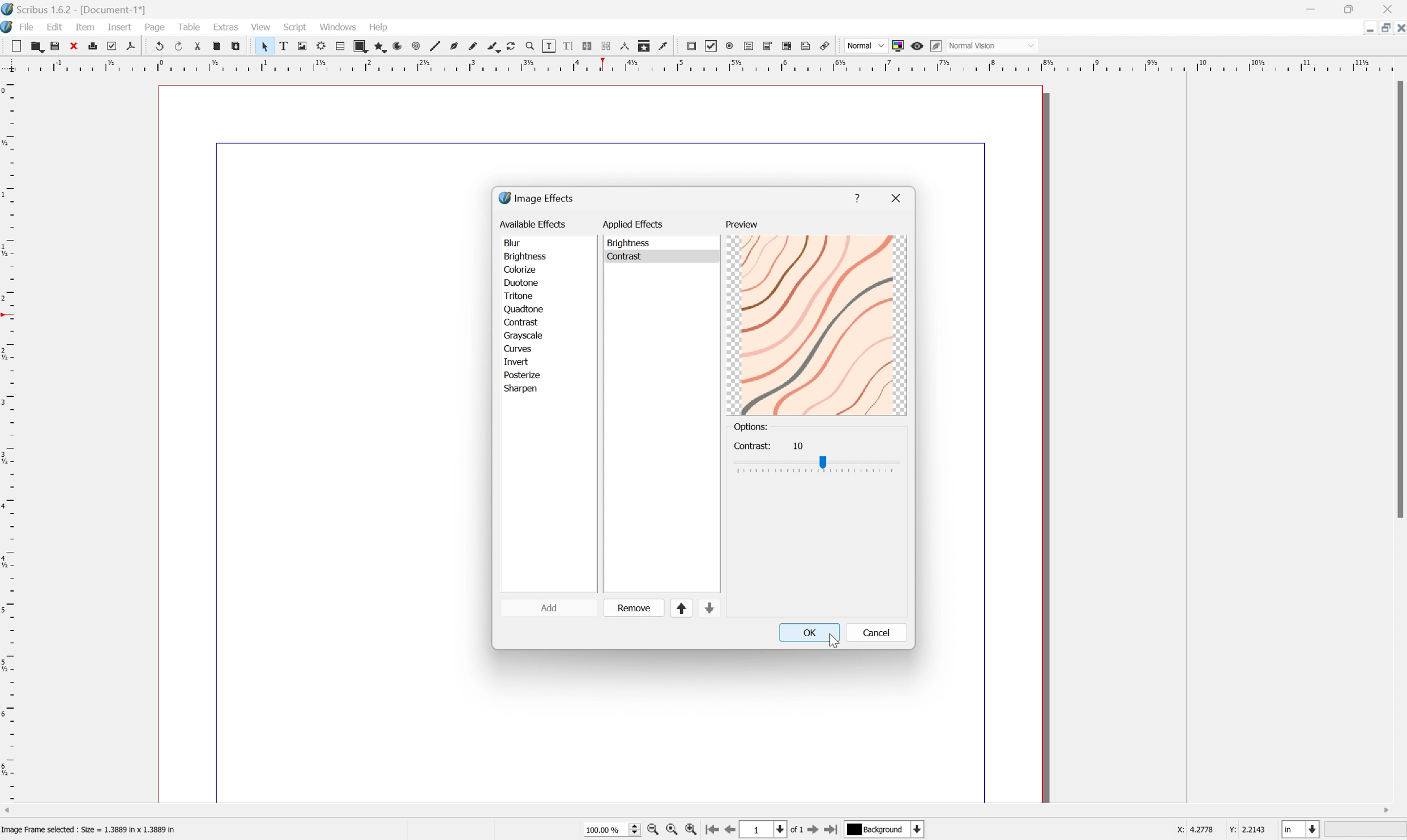 The height and width of the screenshot is (840, 1407). Describe the element at coordinates (693, 47) in the screenshot. I see `PDF push button` at that location.